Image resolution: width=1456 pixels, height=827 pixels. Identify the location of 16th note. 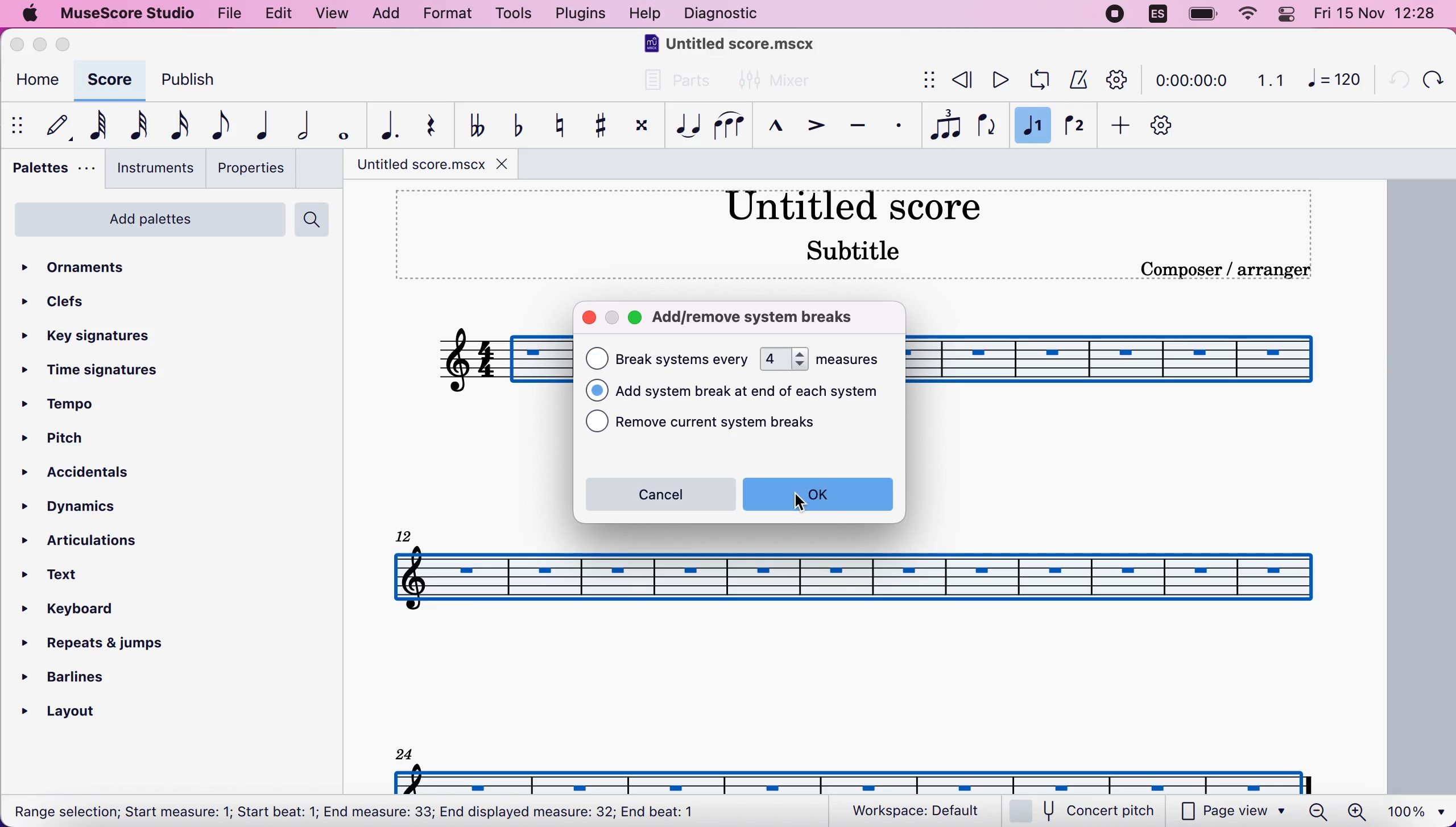
(177, 126).